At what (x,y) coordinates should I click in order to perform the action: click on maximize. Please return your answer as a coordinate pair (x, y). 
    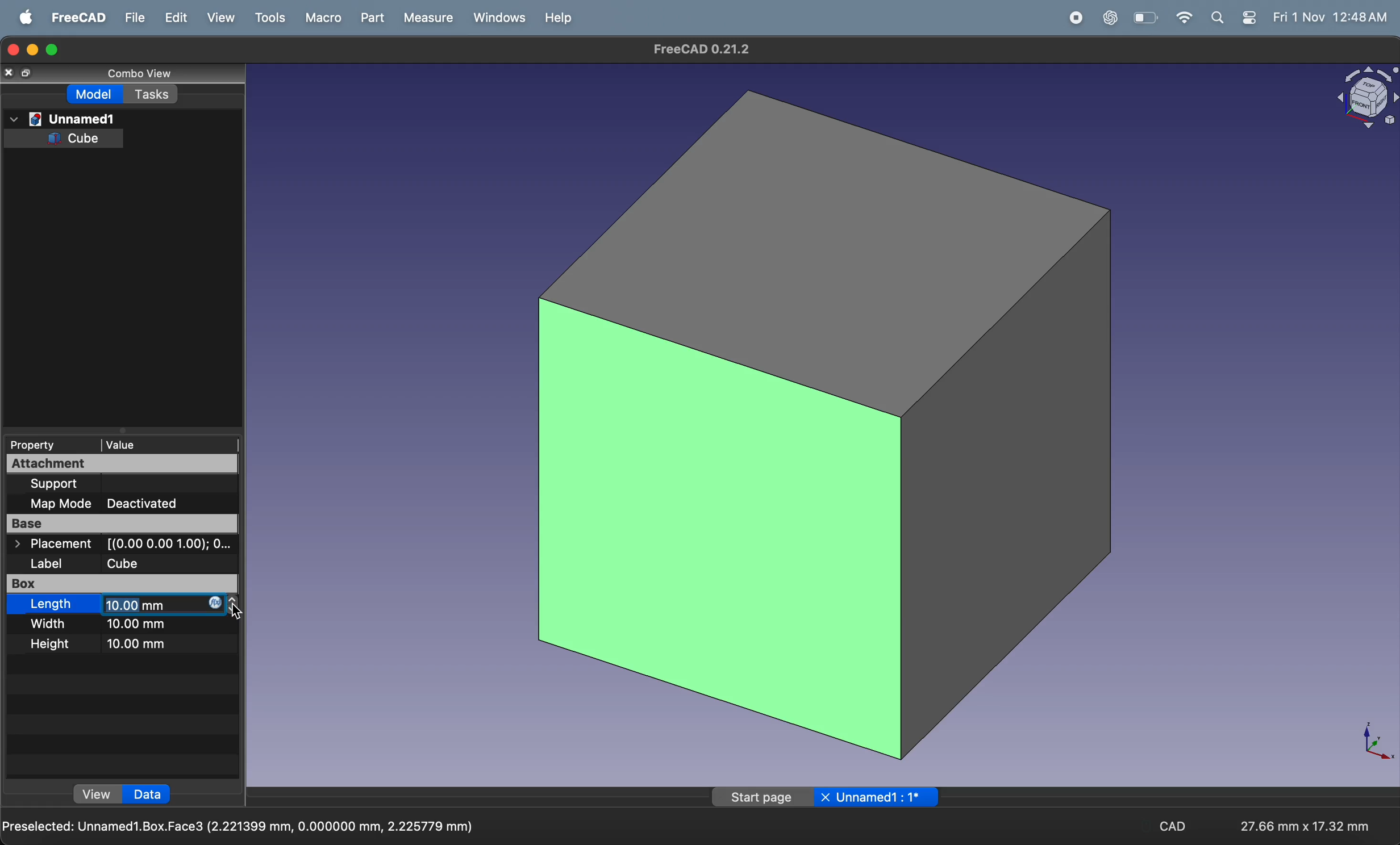
    Looking at the image, I should click on (56, 49).